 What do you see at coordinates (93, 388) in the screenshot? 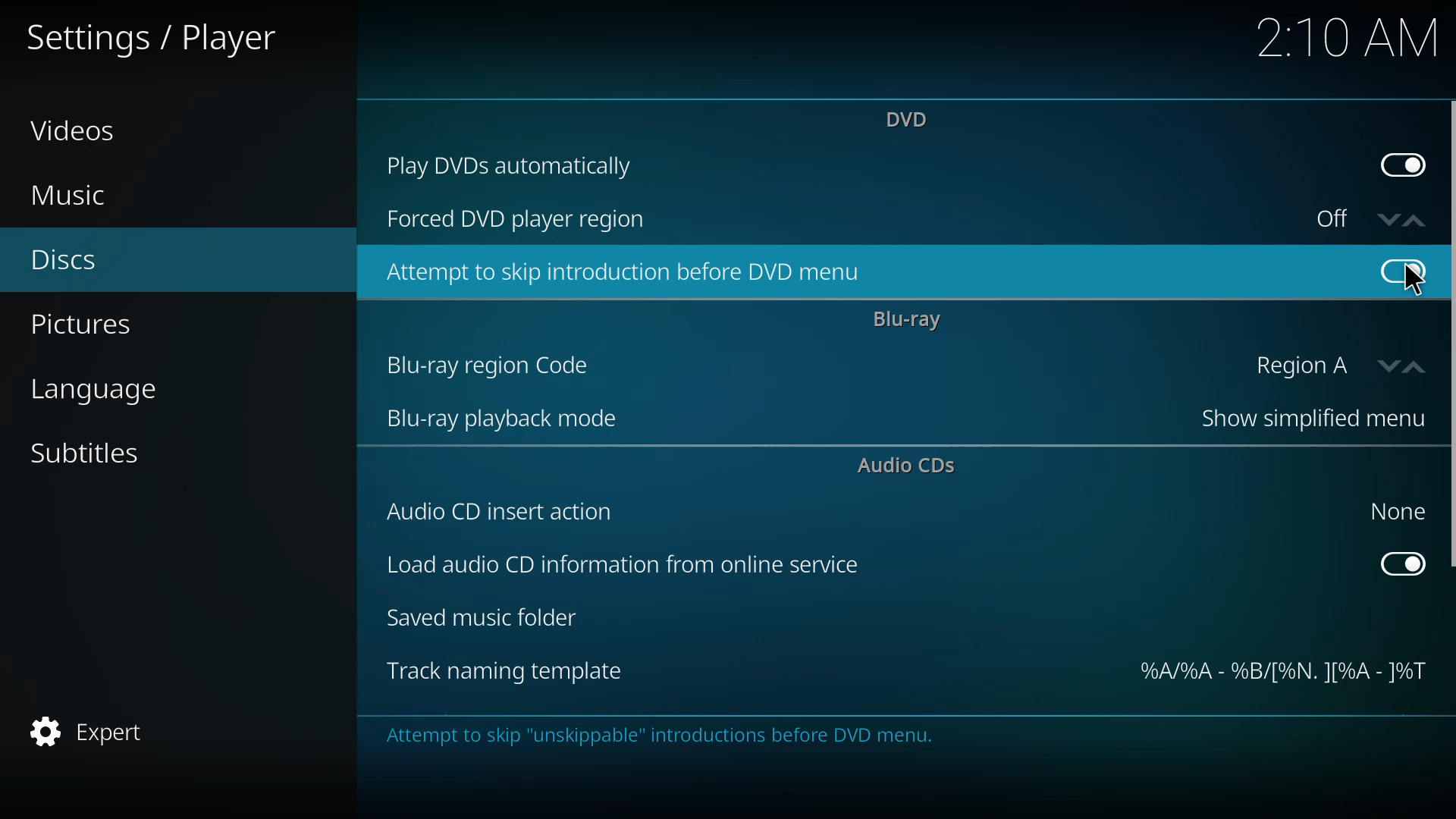
I see `language` at bounding box center [93, 388].